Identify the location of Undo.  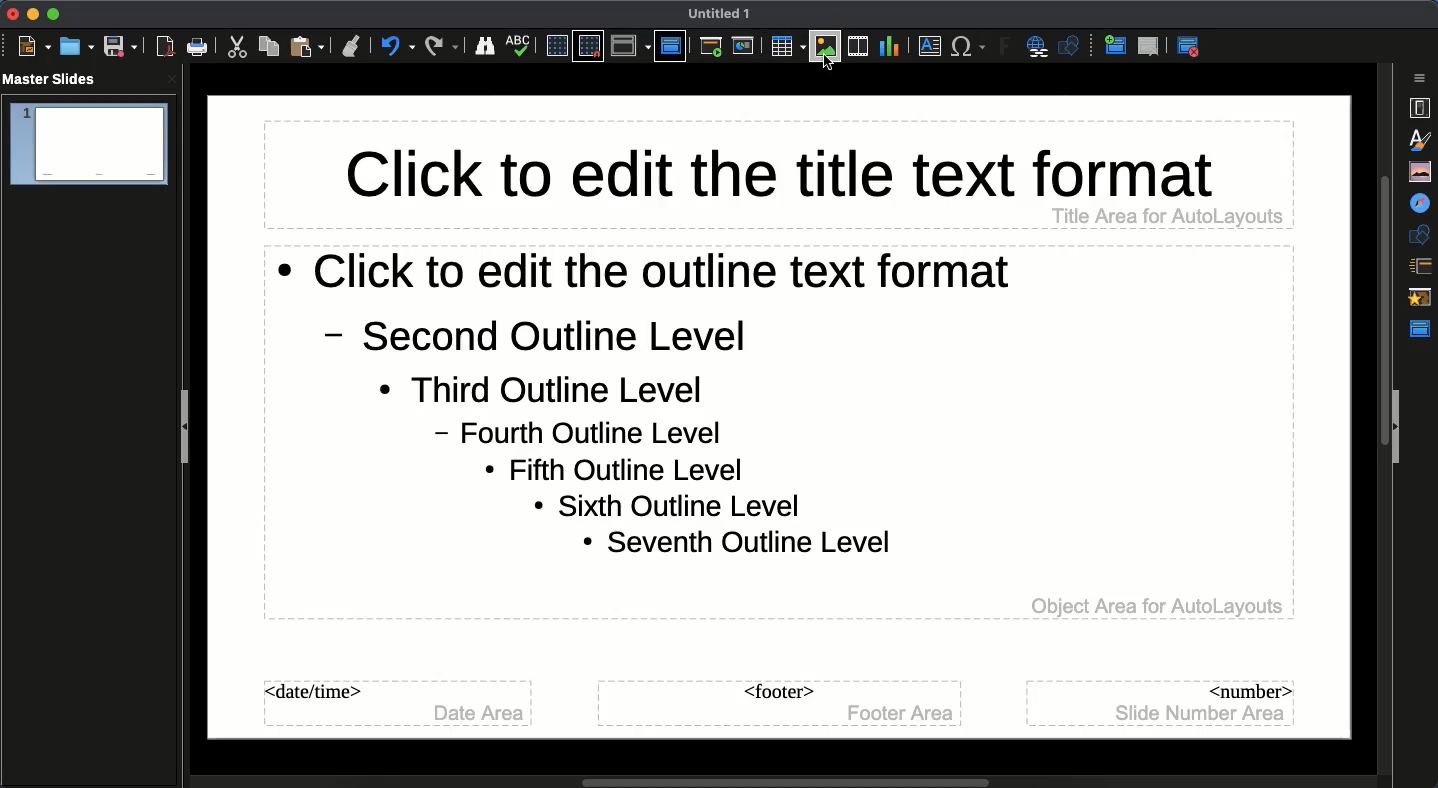
(397, 46).